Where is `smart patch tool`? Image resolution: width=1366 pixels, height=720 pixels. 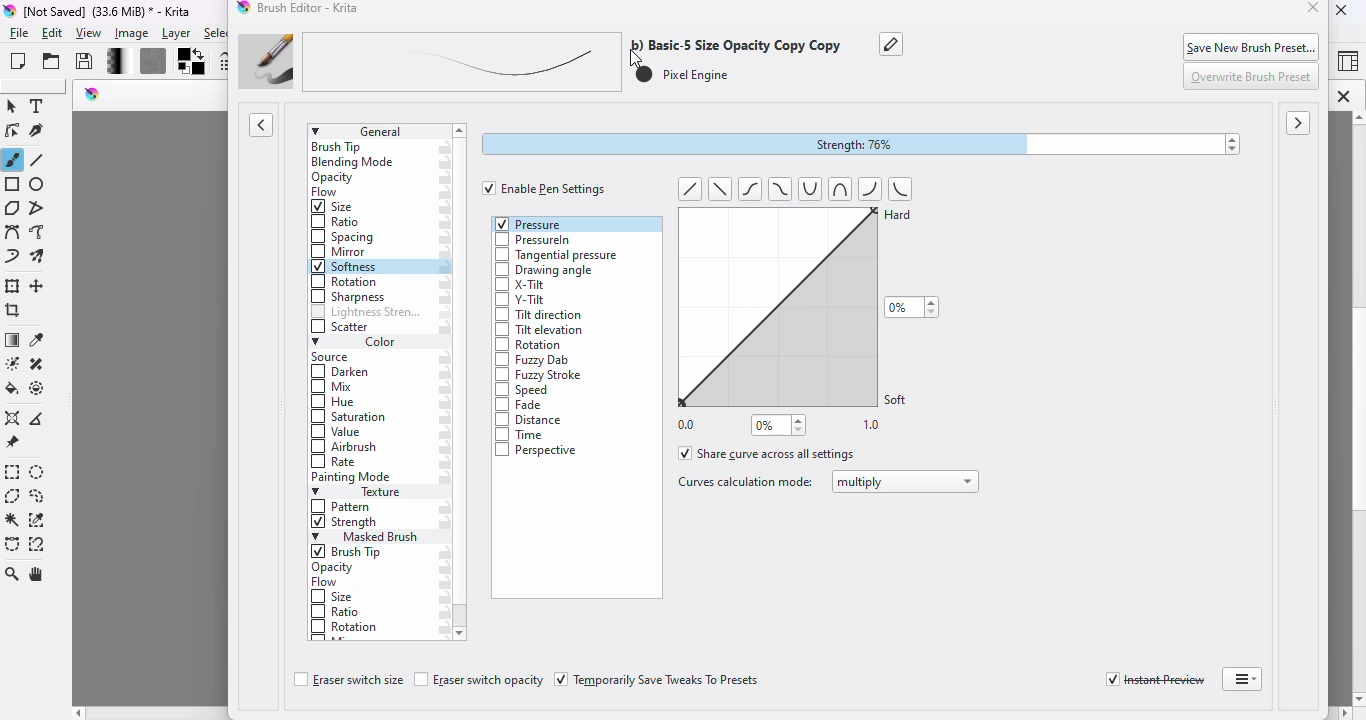
smart patch tool is located at coordinates (37, 363).